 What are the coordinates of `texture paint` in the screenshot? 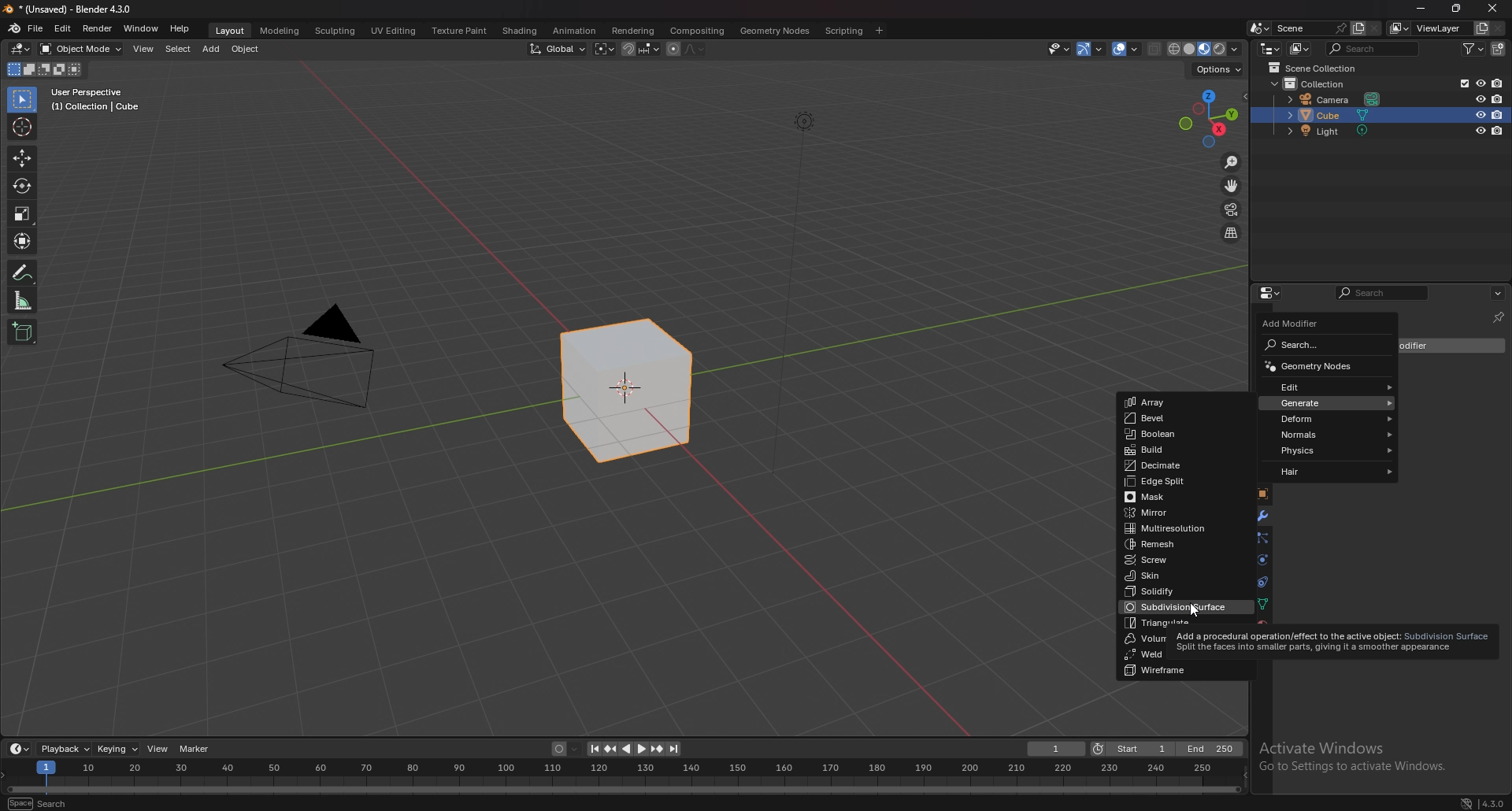 It's located at (460, 31).